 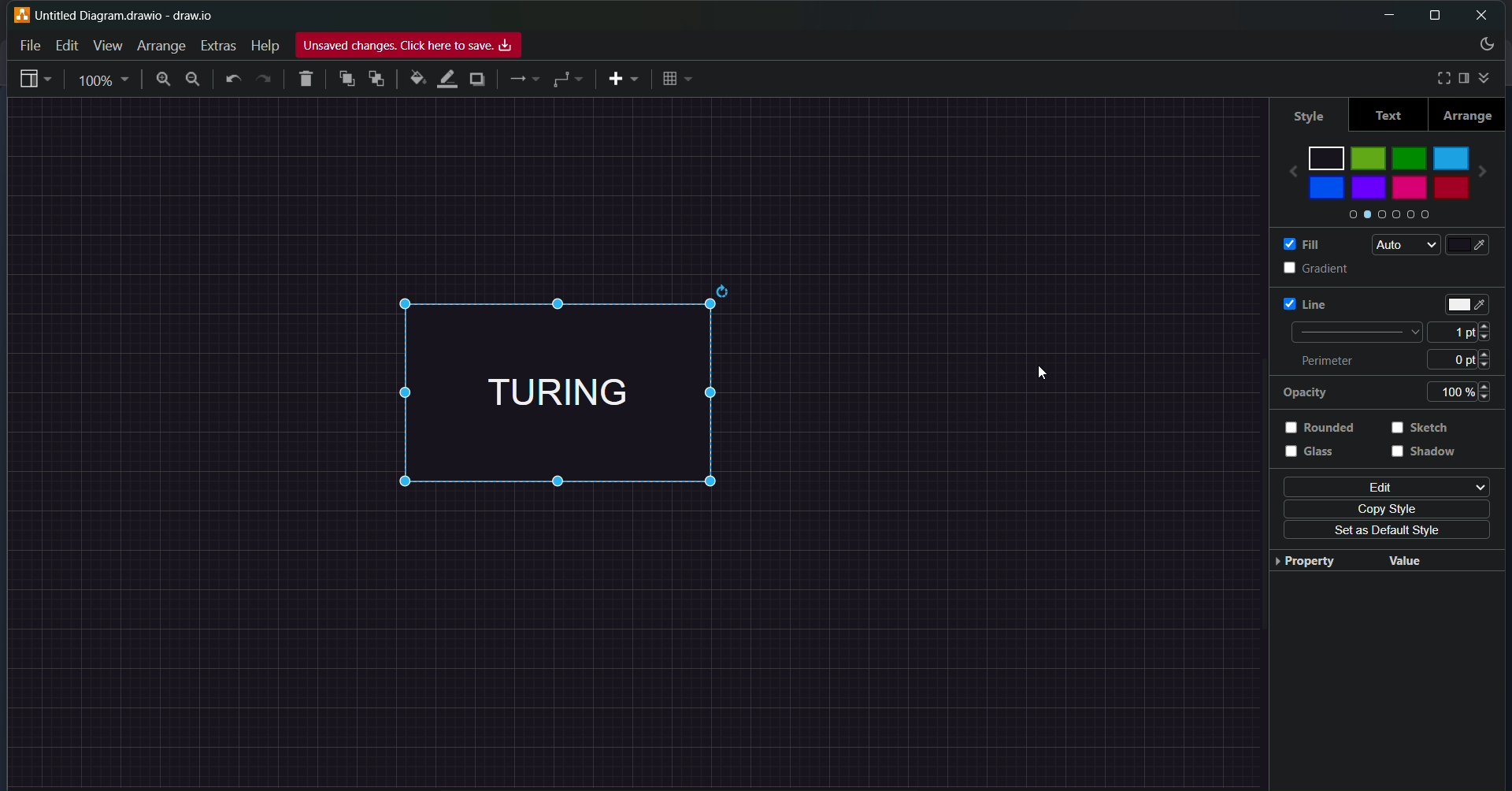 I want to click on text color, so click(x=1469, y=300).